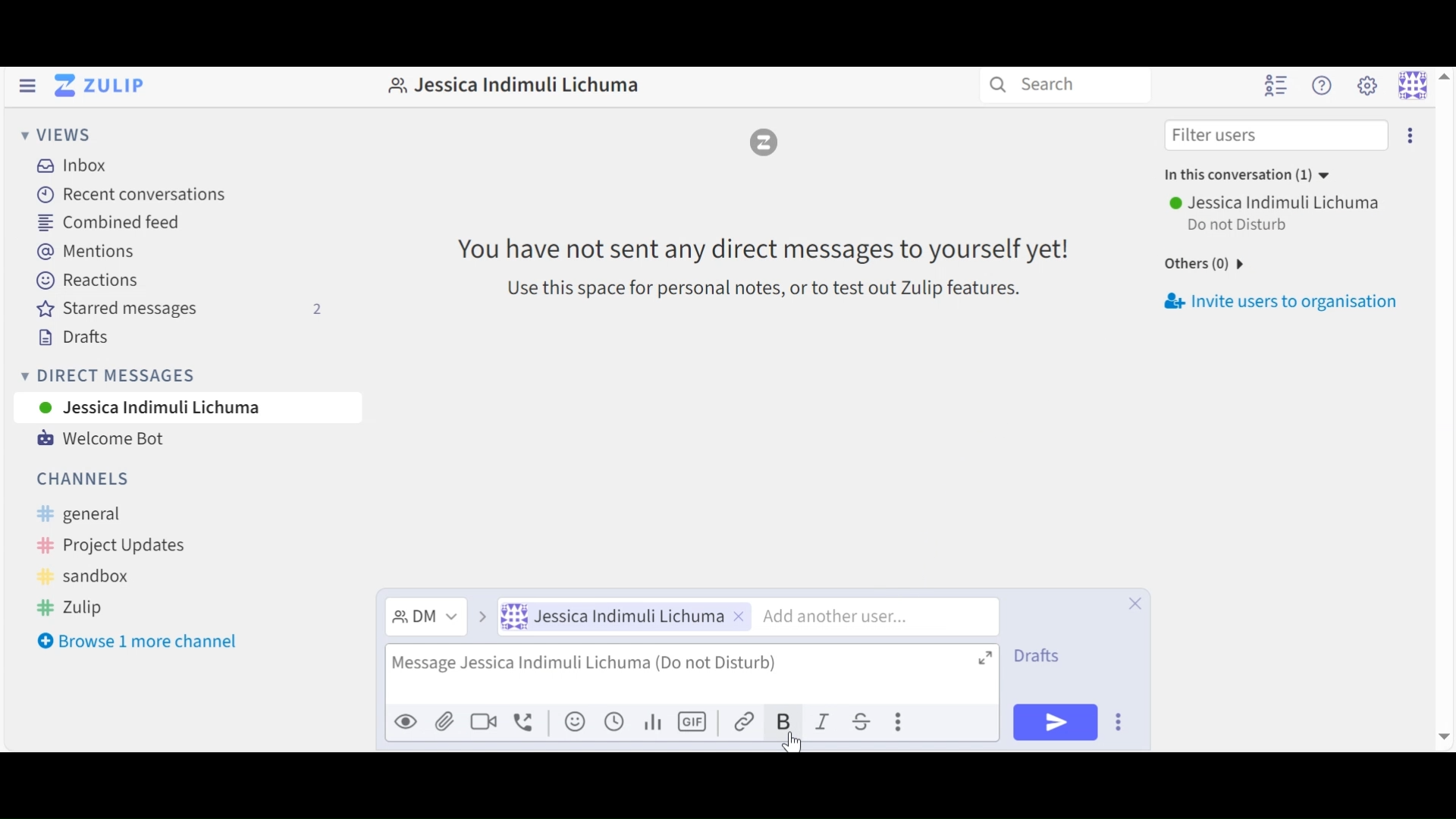  Describe the element at coordinates (1325, 86) in the screenshot. I see `Help menu` at that location.